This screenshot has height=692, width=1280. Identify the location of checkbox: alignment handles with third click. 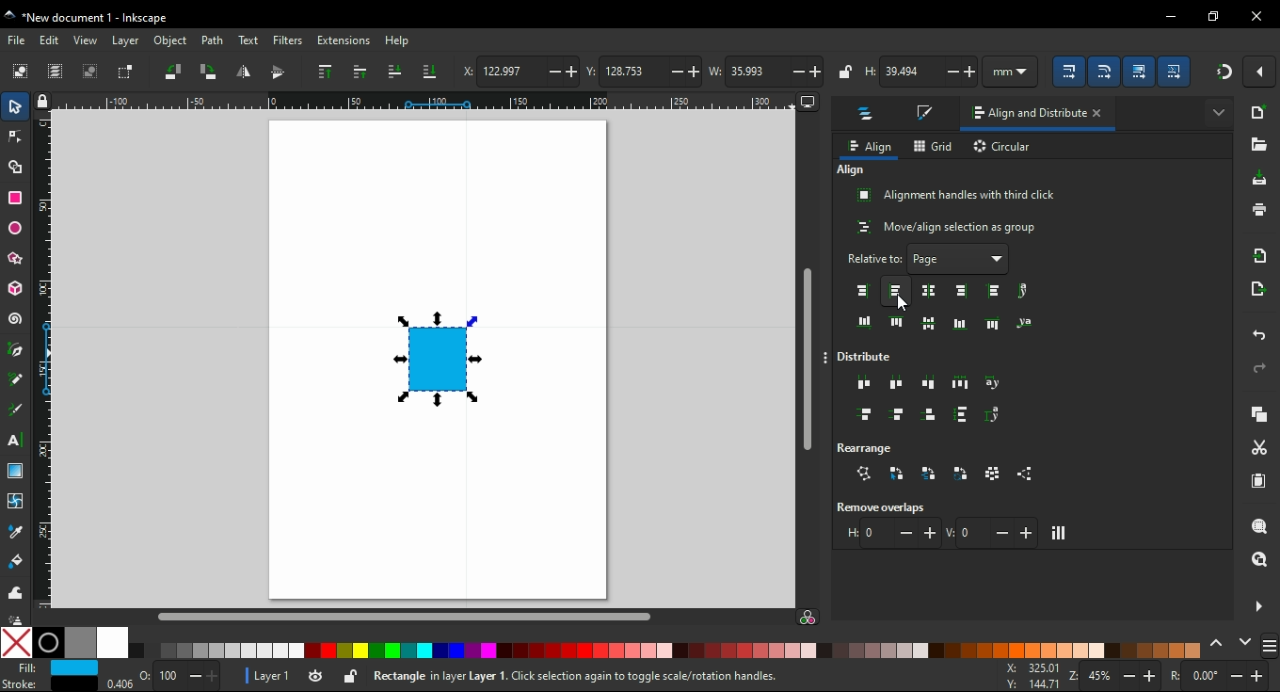
(957, 196).